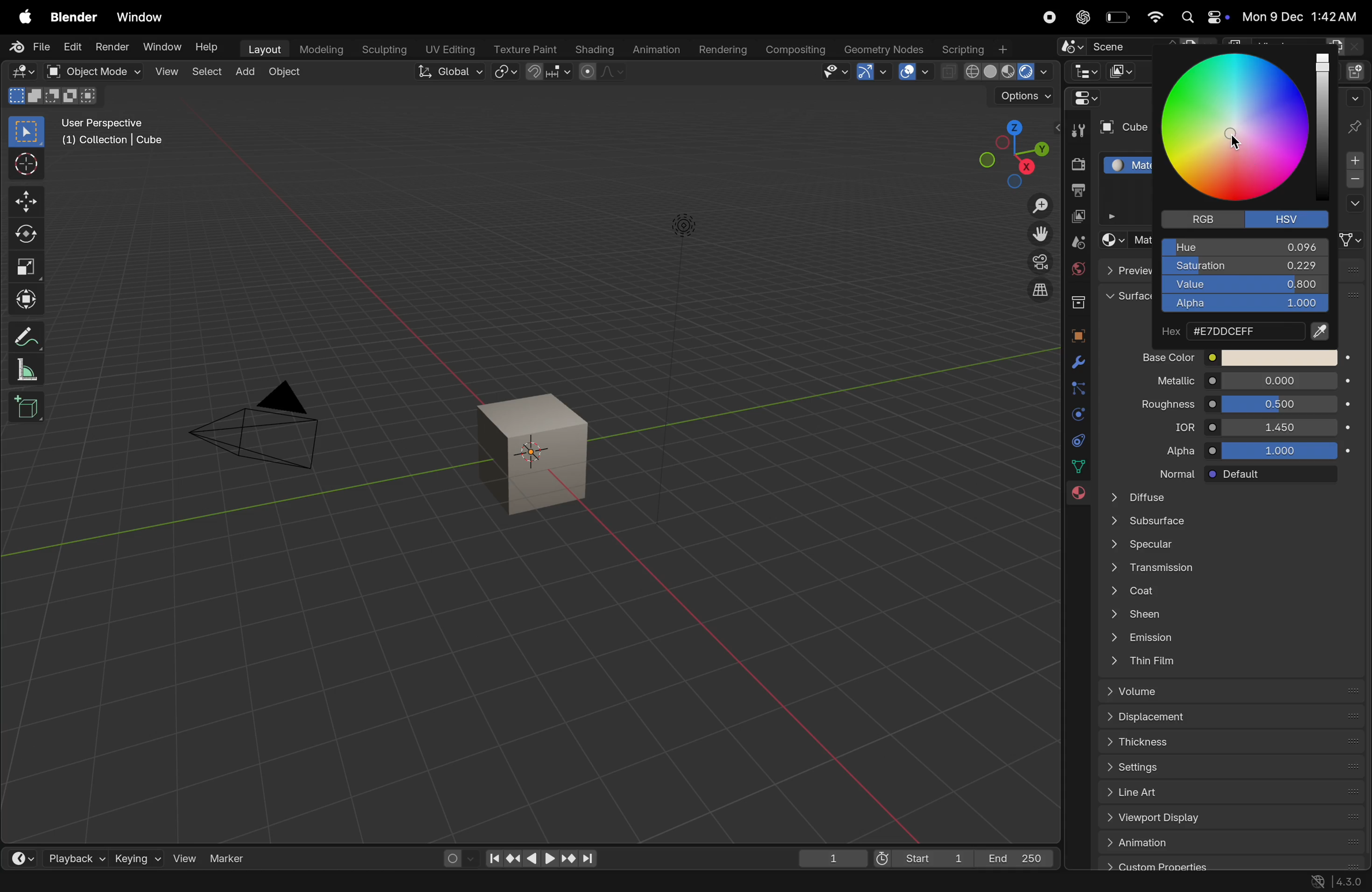  What do you see at coordinates (1078, 363) in the screenshot?
I see `modifiers` at bounding box center [1078, 363].